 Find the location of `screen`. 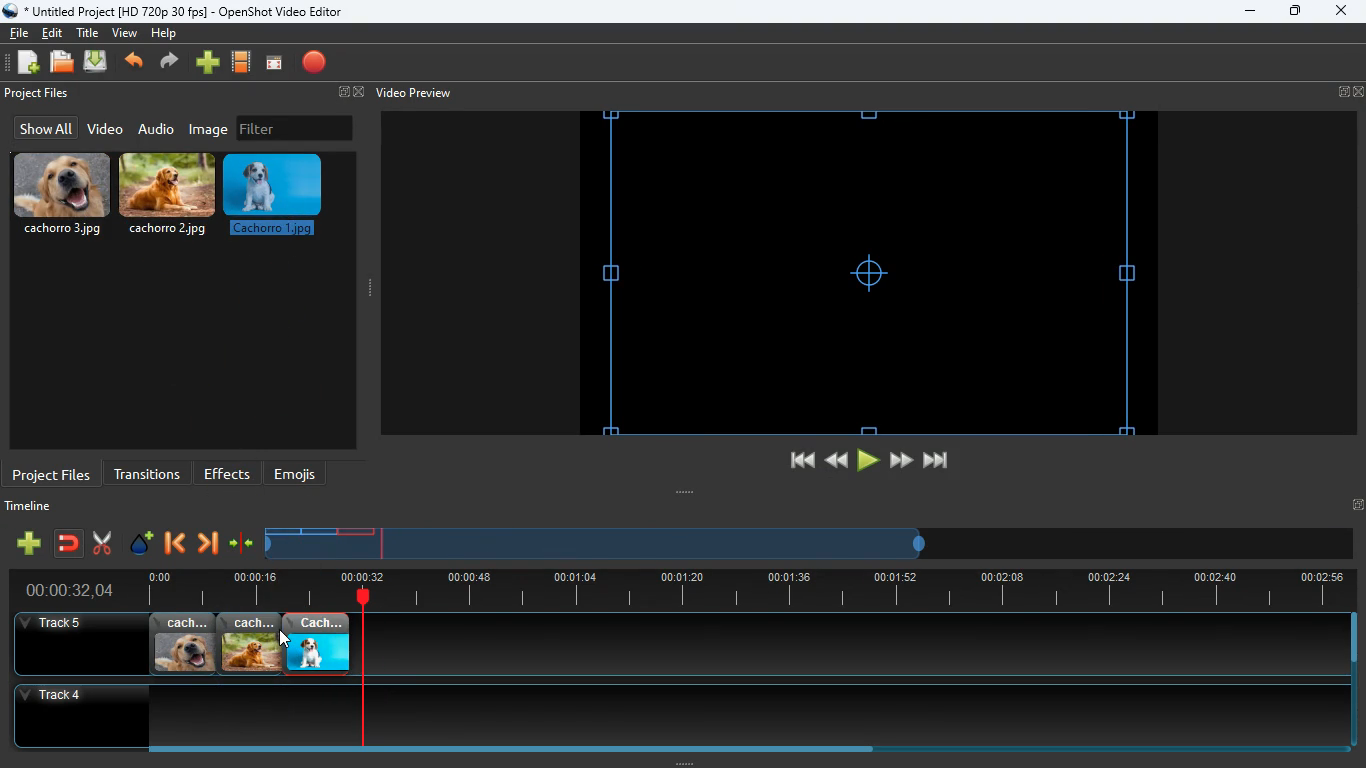

screen is located at coordinates (274, 64).